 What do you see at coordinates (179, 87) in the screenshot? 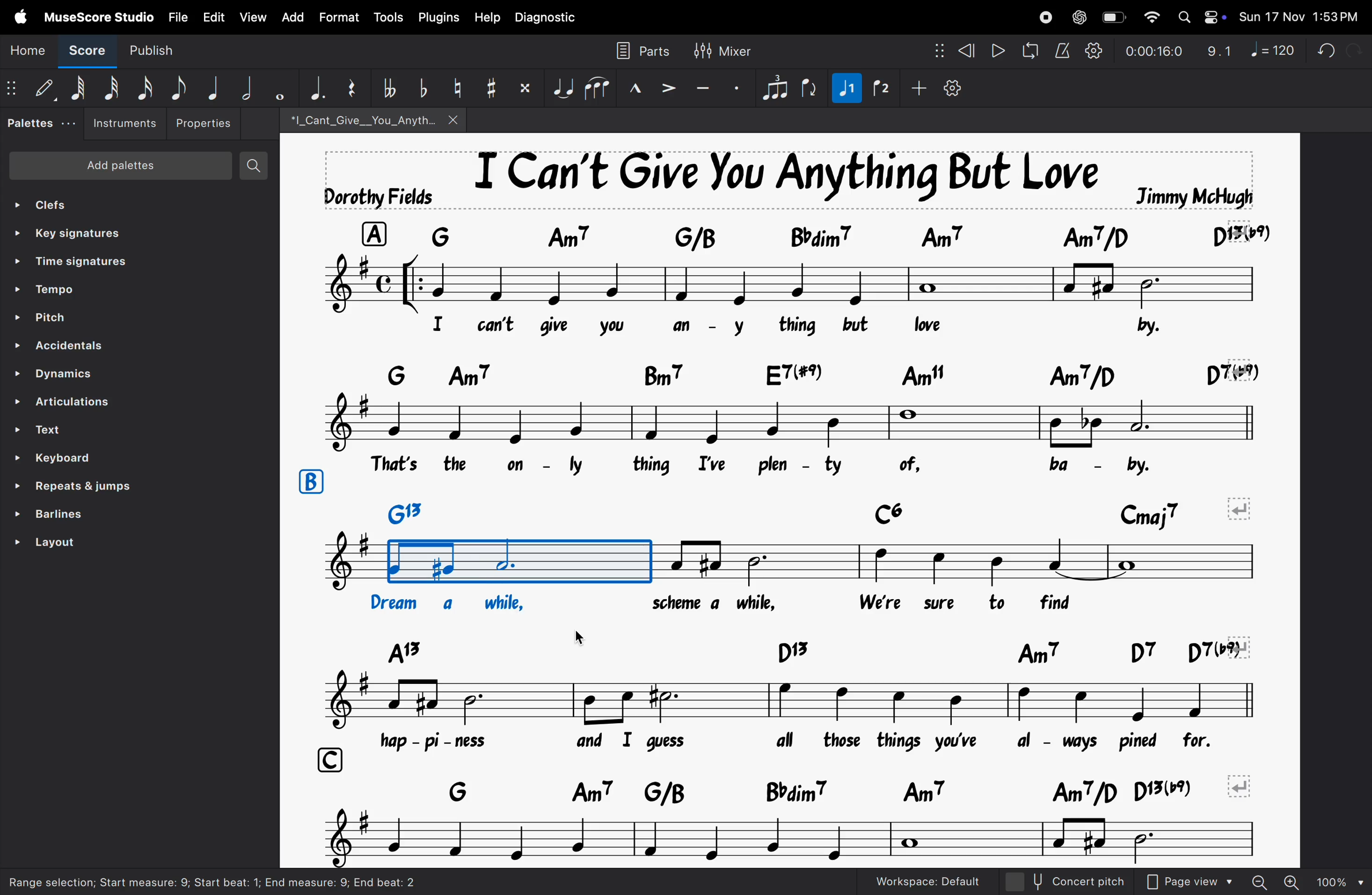
I see `eight note` at bounding box center [179, 87].